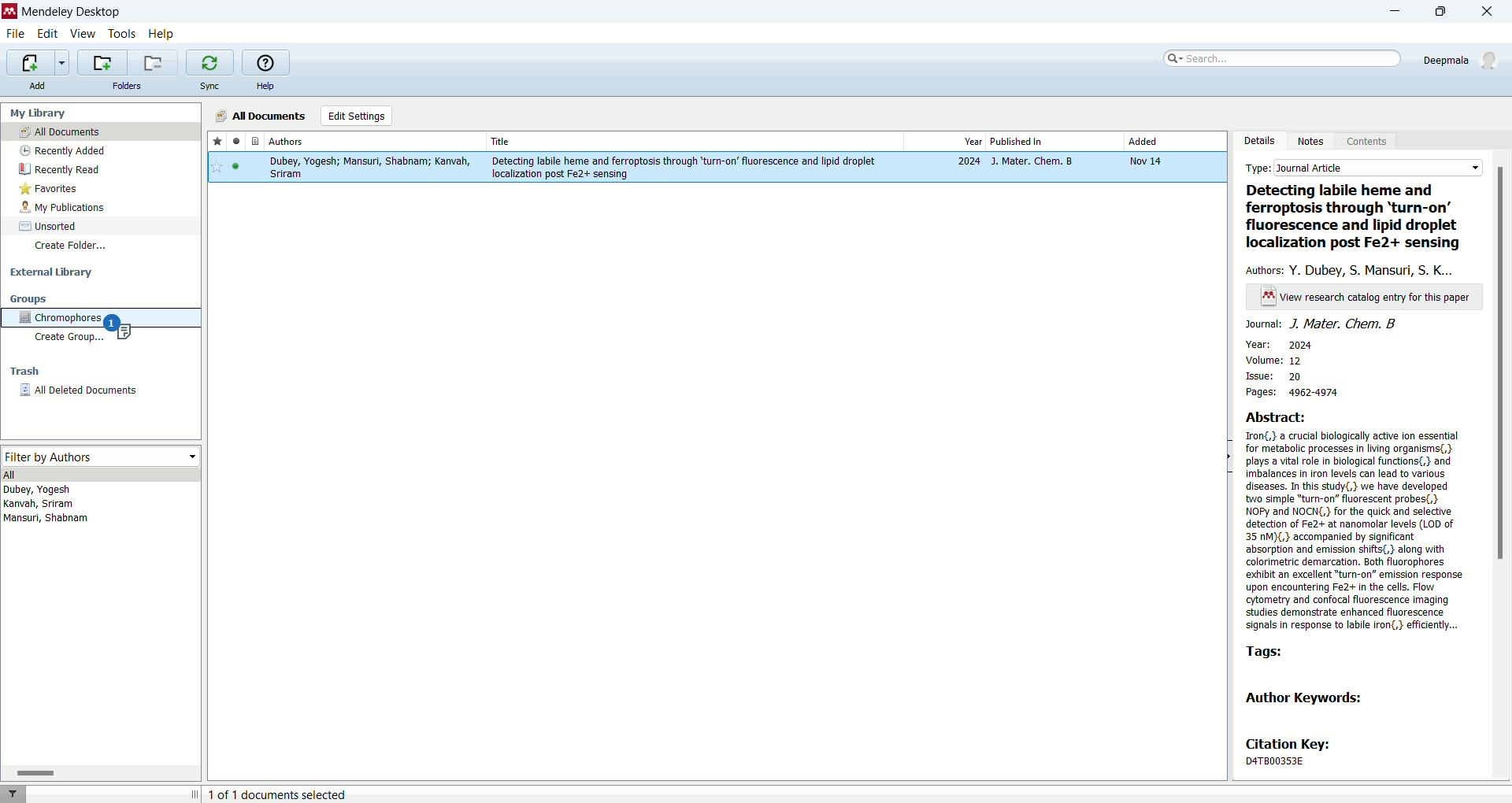  I want to click on trash, so click(23, 372).